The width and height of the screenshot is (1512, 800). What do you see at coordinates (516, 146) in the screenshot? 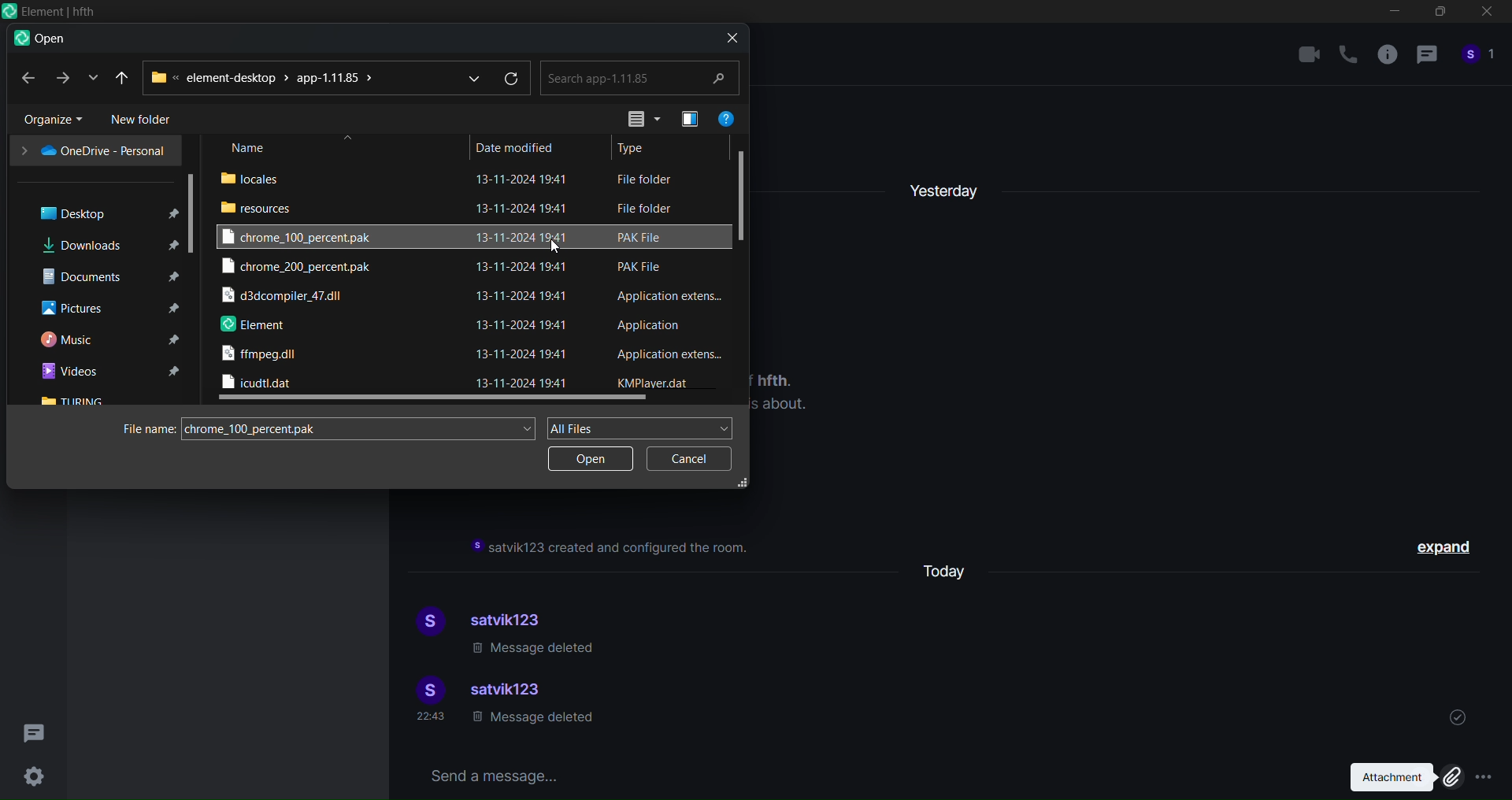
I see `date modified` at bounding box center [516, 146].